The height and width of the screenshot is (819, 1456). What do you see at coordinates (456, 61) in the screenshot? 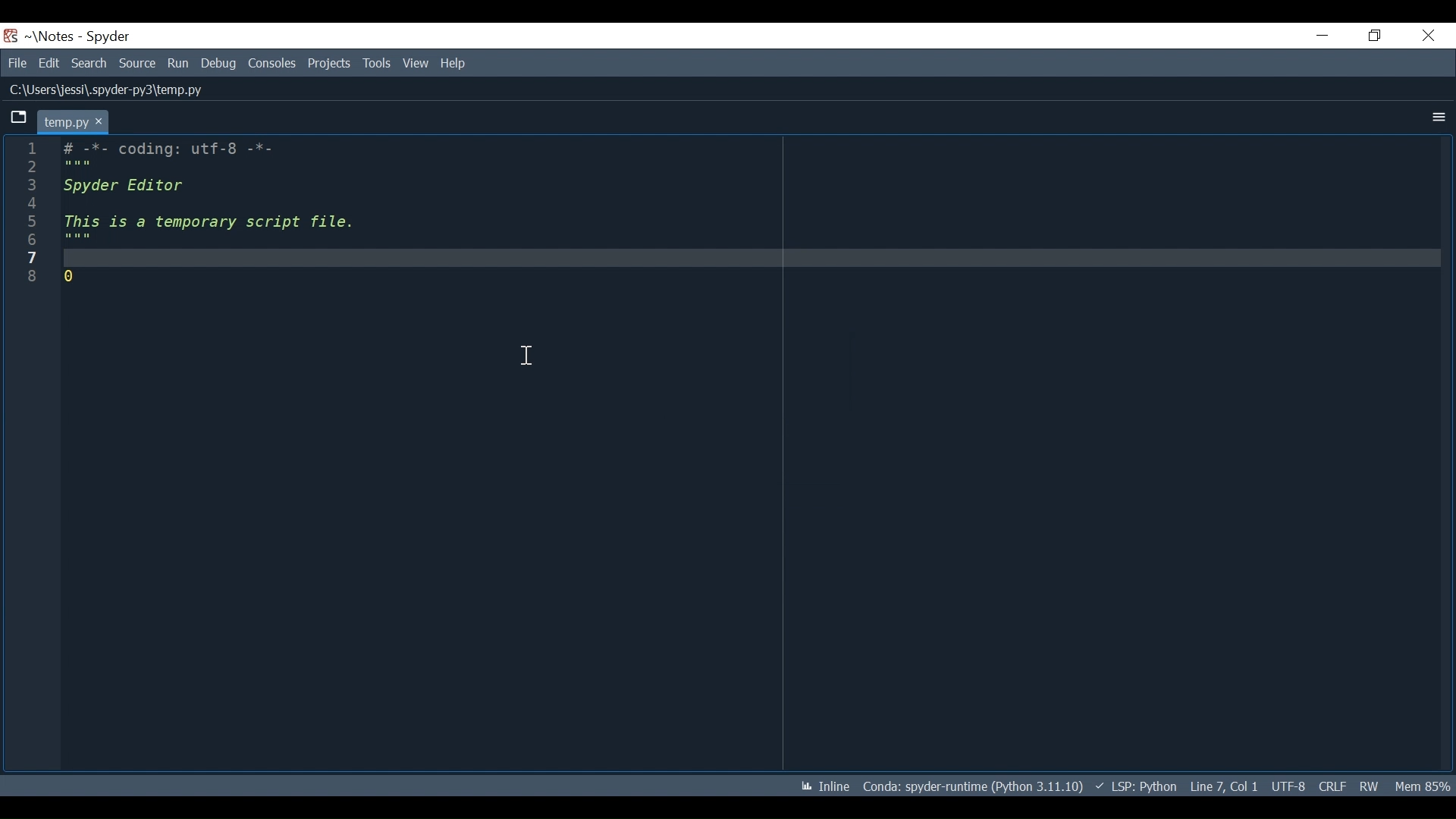
I see `Help` at bounding box center [456, 61].